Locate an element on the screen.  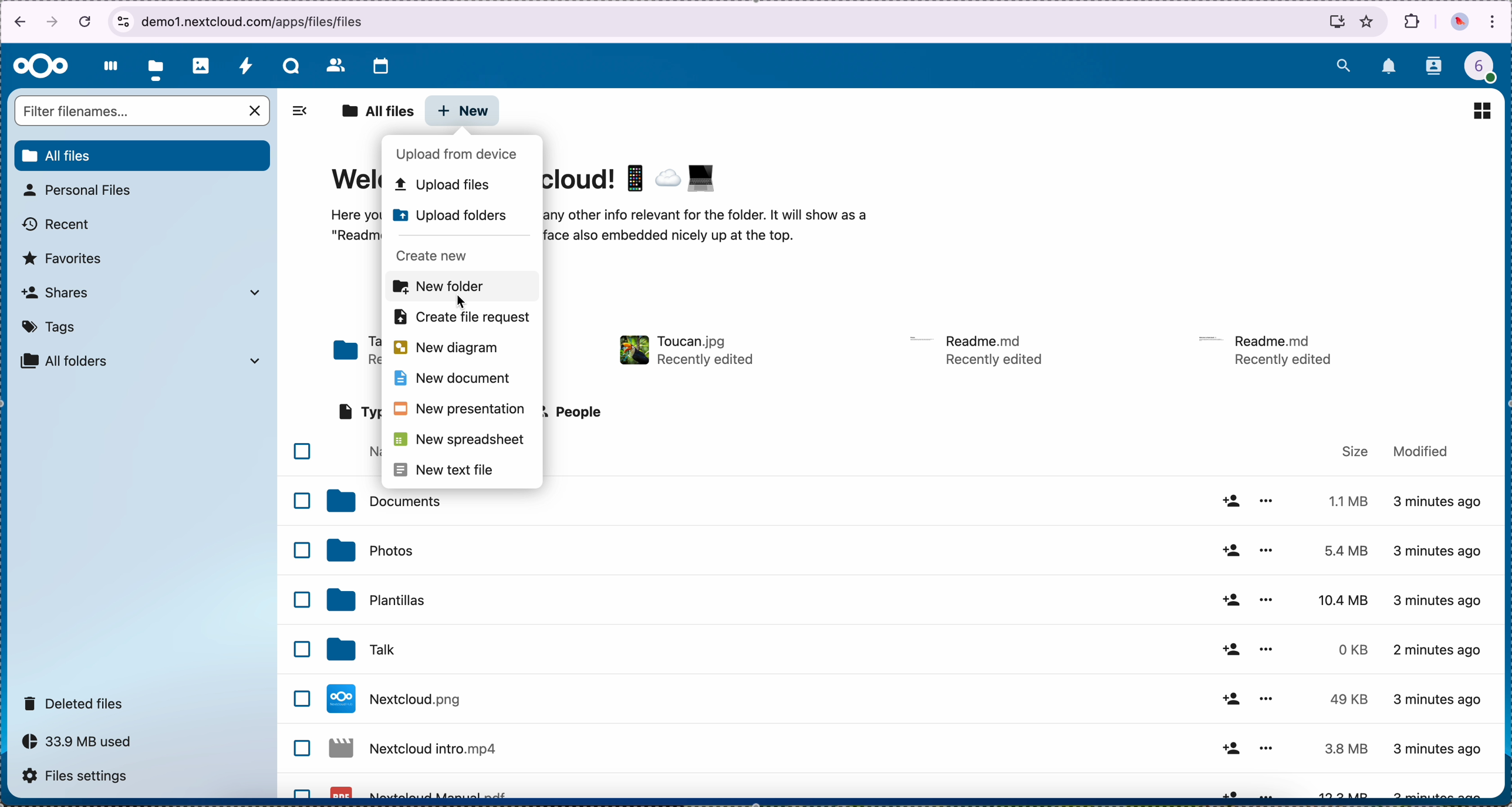
cursor is located at coordinates (464, 302).